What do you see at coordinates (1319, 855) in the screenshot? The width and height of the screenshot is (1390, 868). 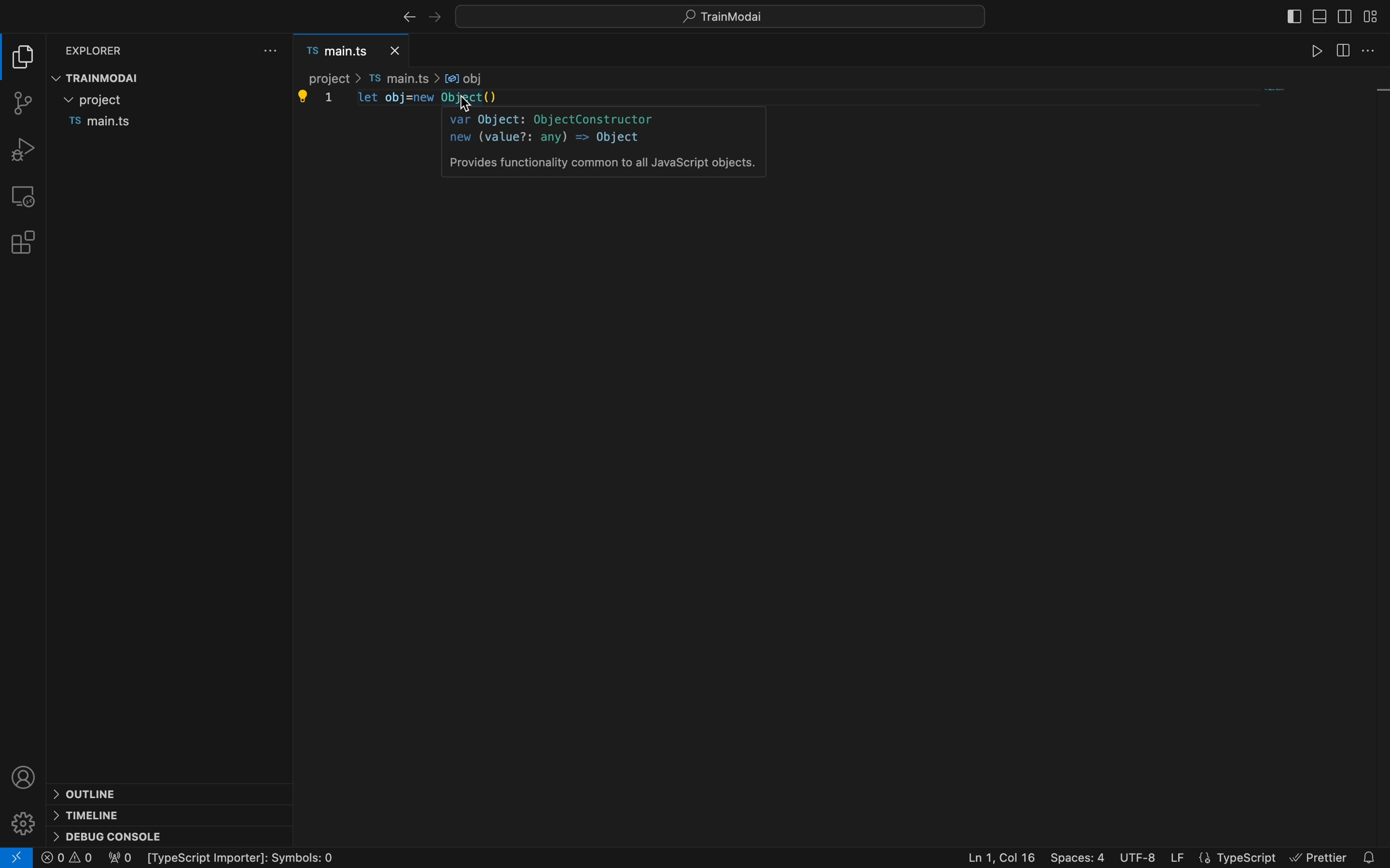 I see `Prettier` at bounding box center [1319, 855].